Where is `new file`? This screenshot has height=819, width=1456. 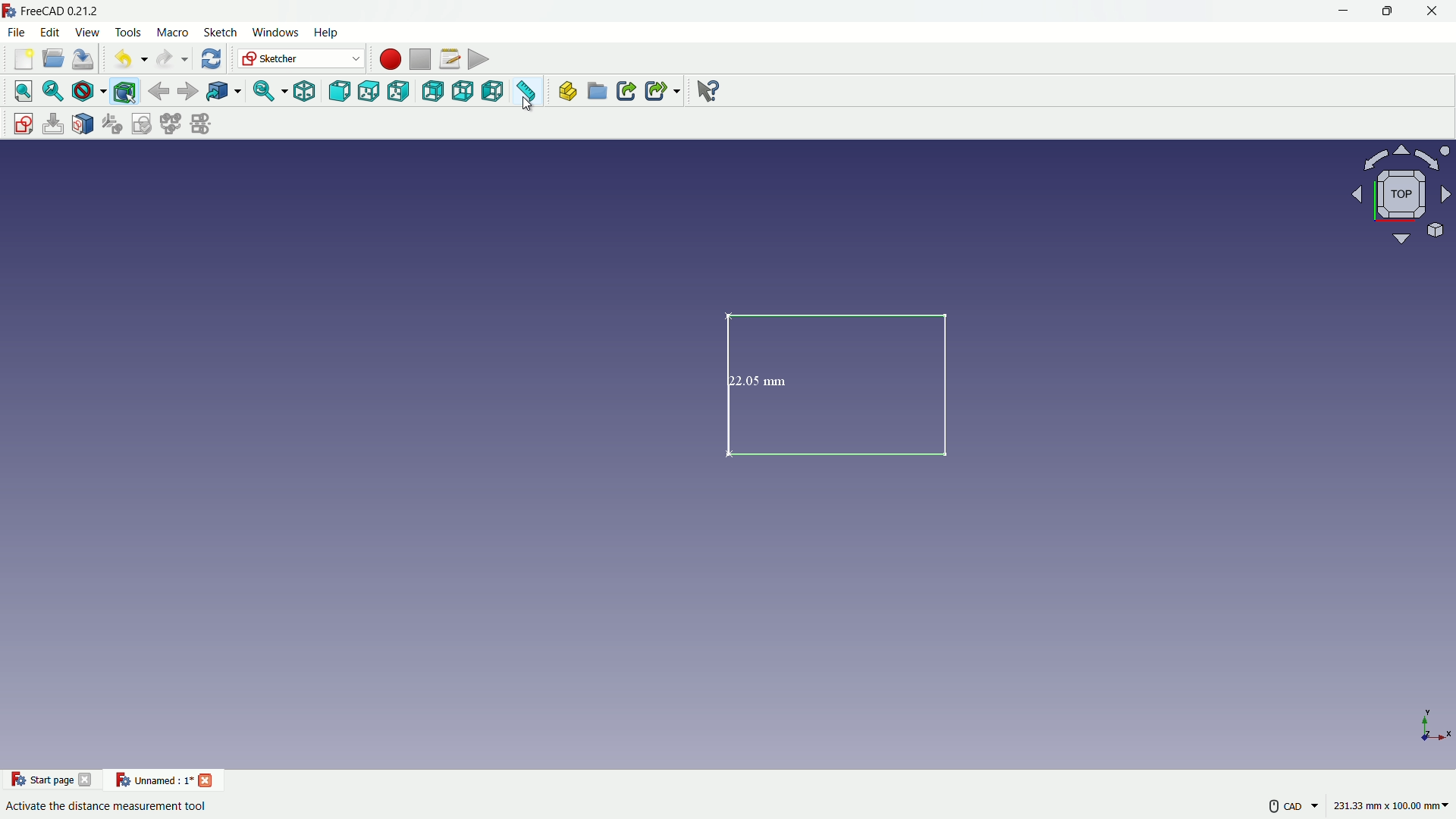 new file is located at coordinates (21, 62).